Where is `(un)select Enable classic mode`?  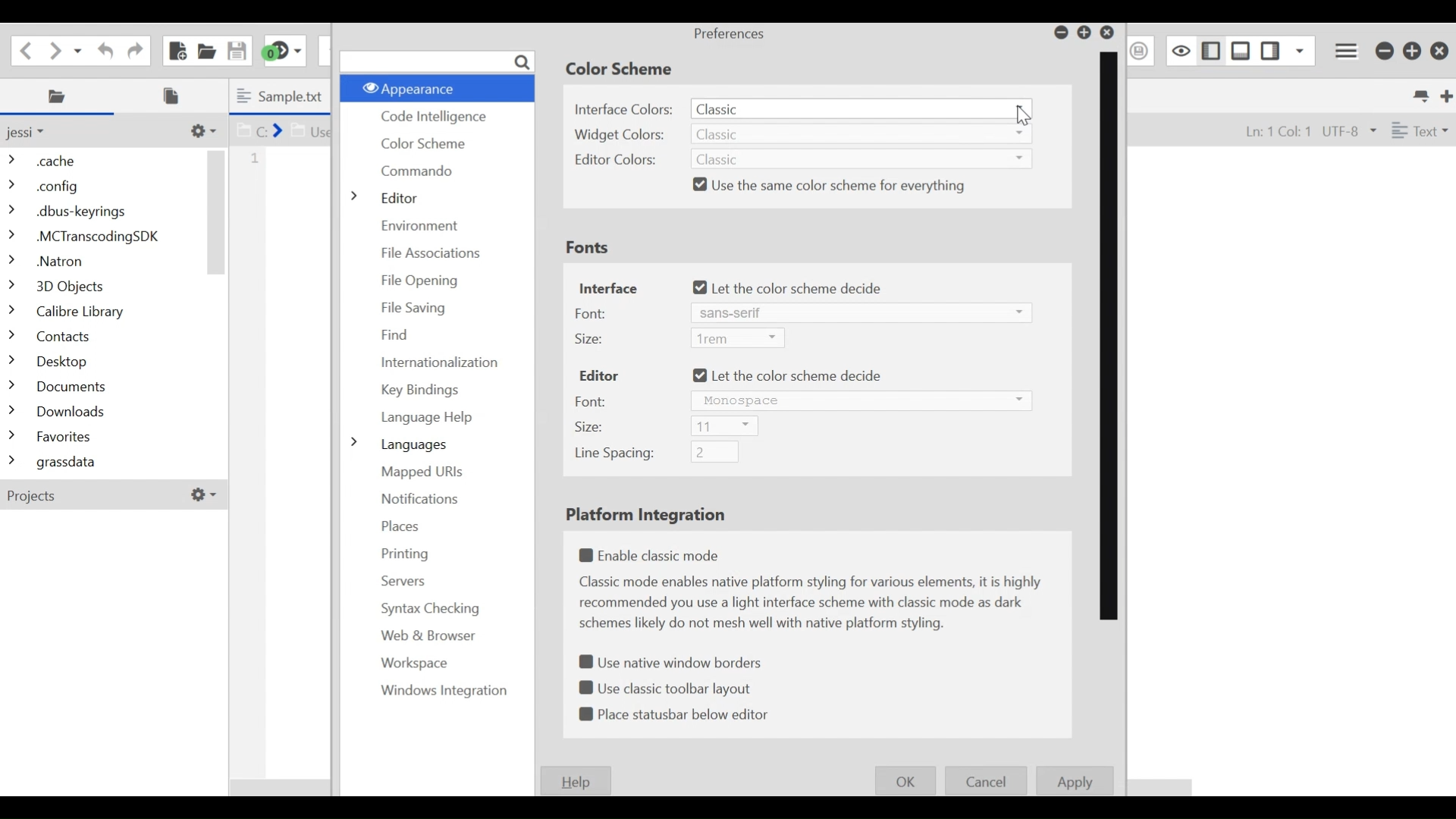 (un)select Enable classic mode is located at coordinates (654, 556).